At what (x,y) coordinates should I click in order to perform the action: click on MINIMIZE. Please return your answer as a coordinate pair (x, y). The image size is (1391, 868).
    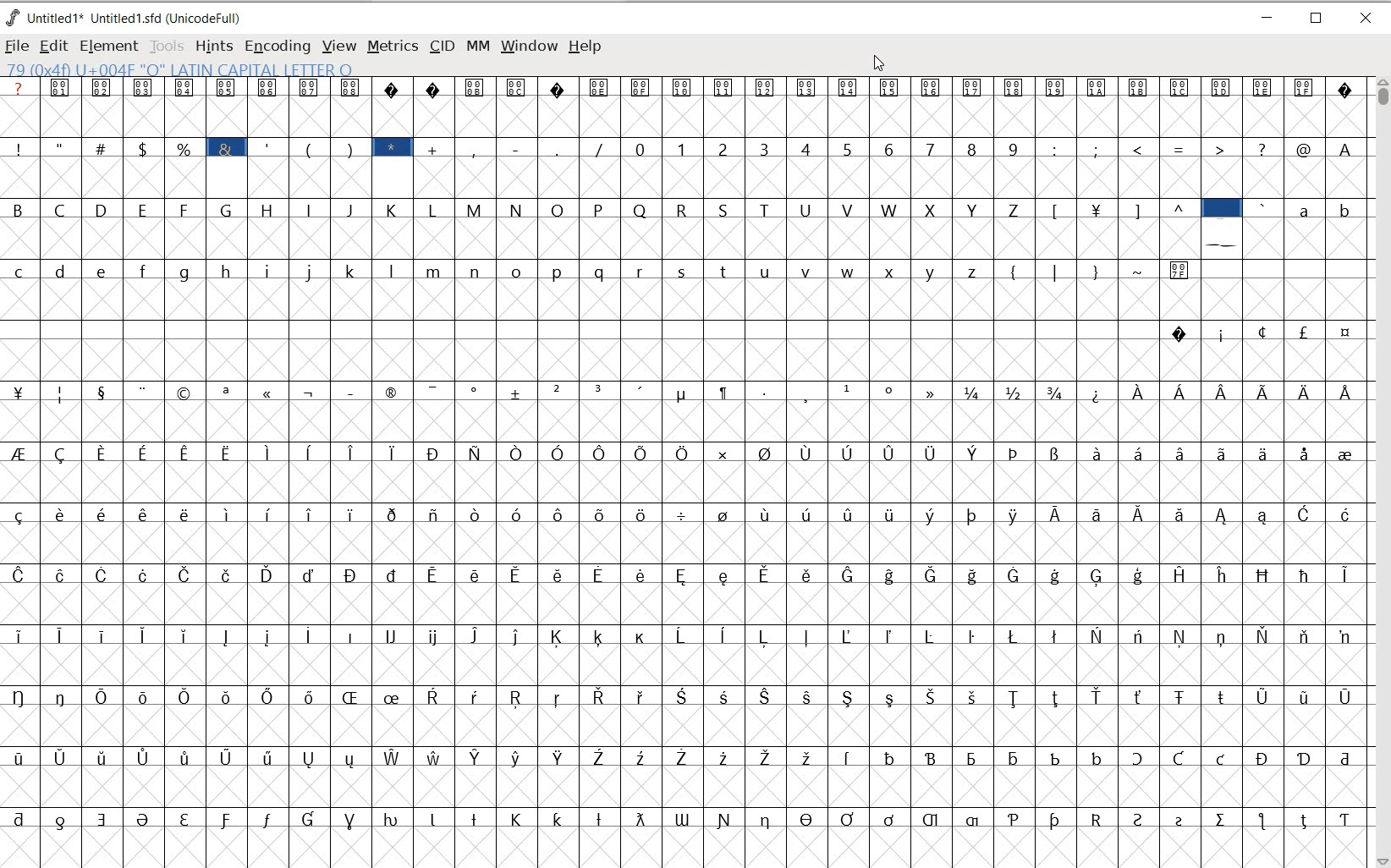
    Looking at the image, I should click on (1267, 18).